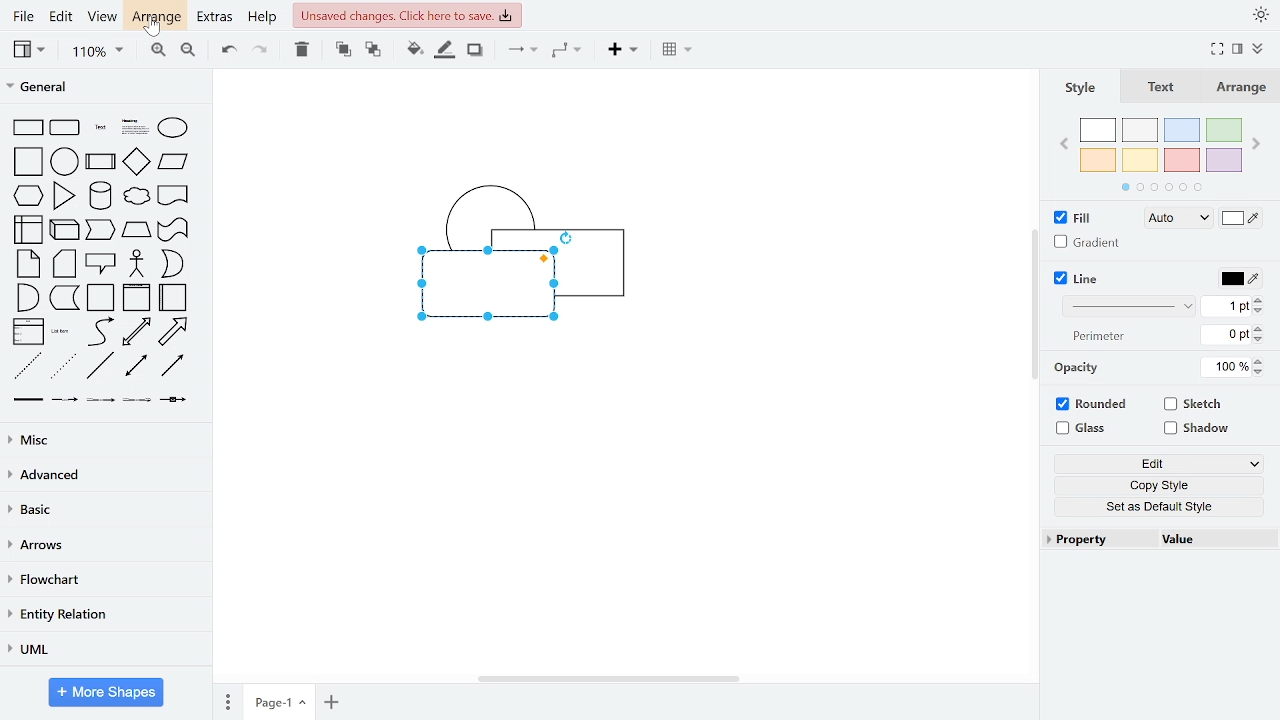 The height and width of the screenshot is (720, 1280). Describe the element at coordinates (137, 231) in the screenshot. I see `trapezoid` at that location.